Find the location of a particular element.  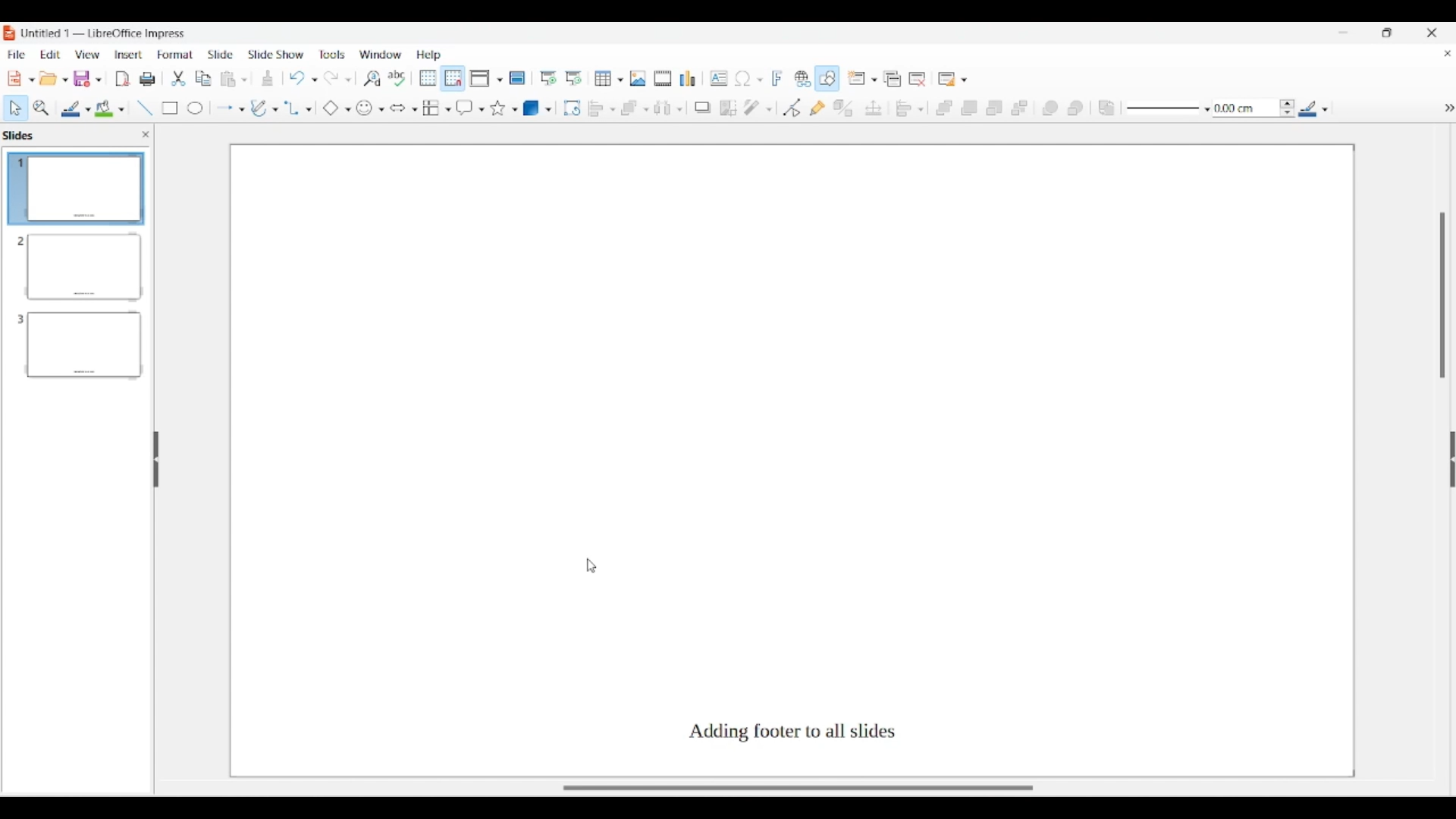

File menu is located at coordinates (16, 55).